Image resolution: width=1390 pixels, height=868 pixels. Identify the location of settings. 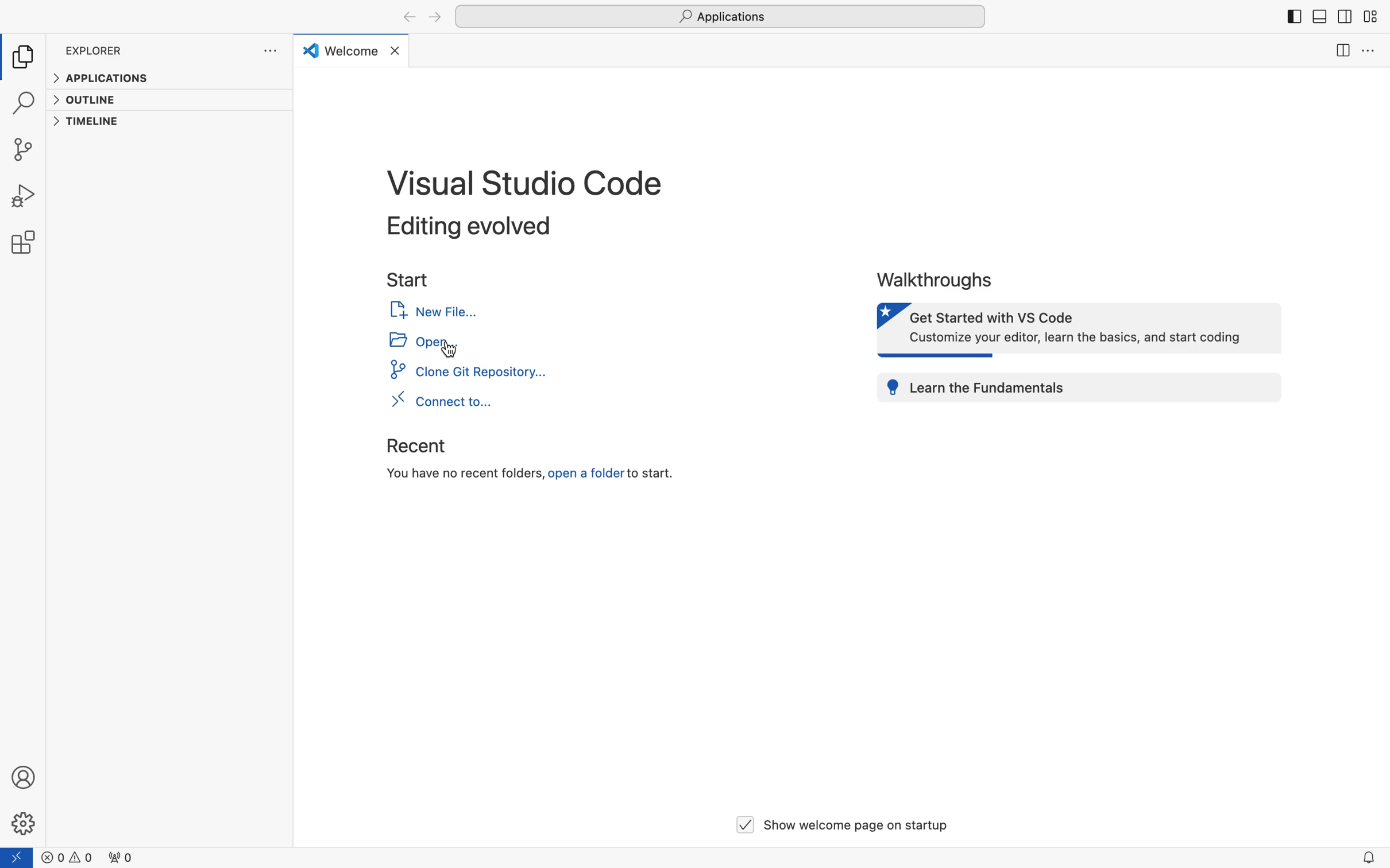
(25, 823).